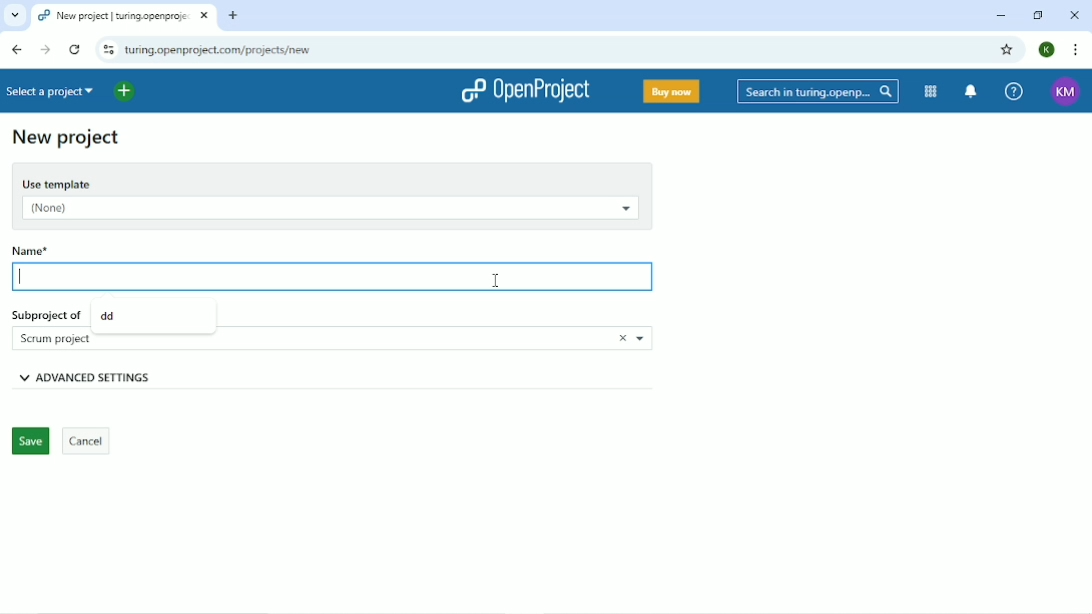  What do you see at coordinates (66, 139) in the screenshot?
I see `New project` at bounding box center [66, 139].